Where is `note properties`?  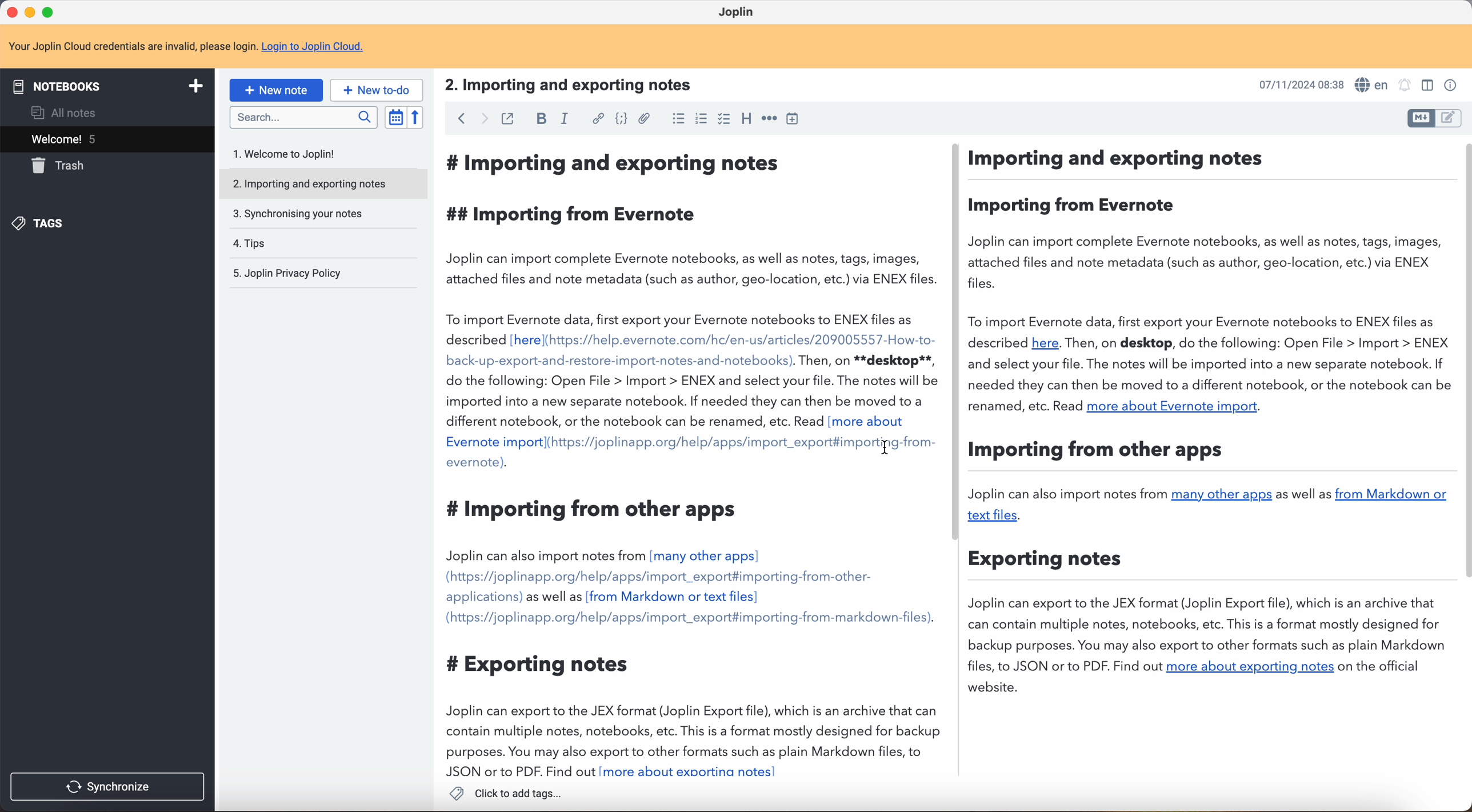 note properties is located at coordinates (1451, 84).